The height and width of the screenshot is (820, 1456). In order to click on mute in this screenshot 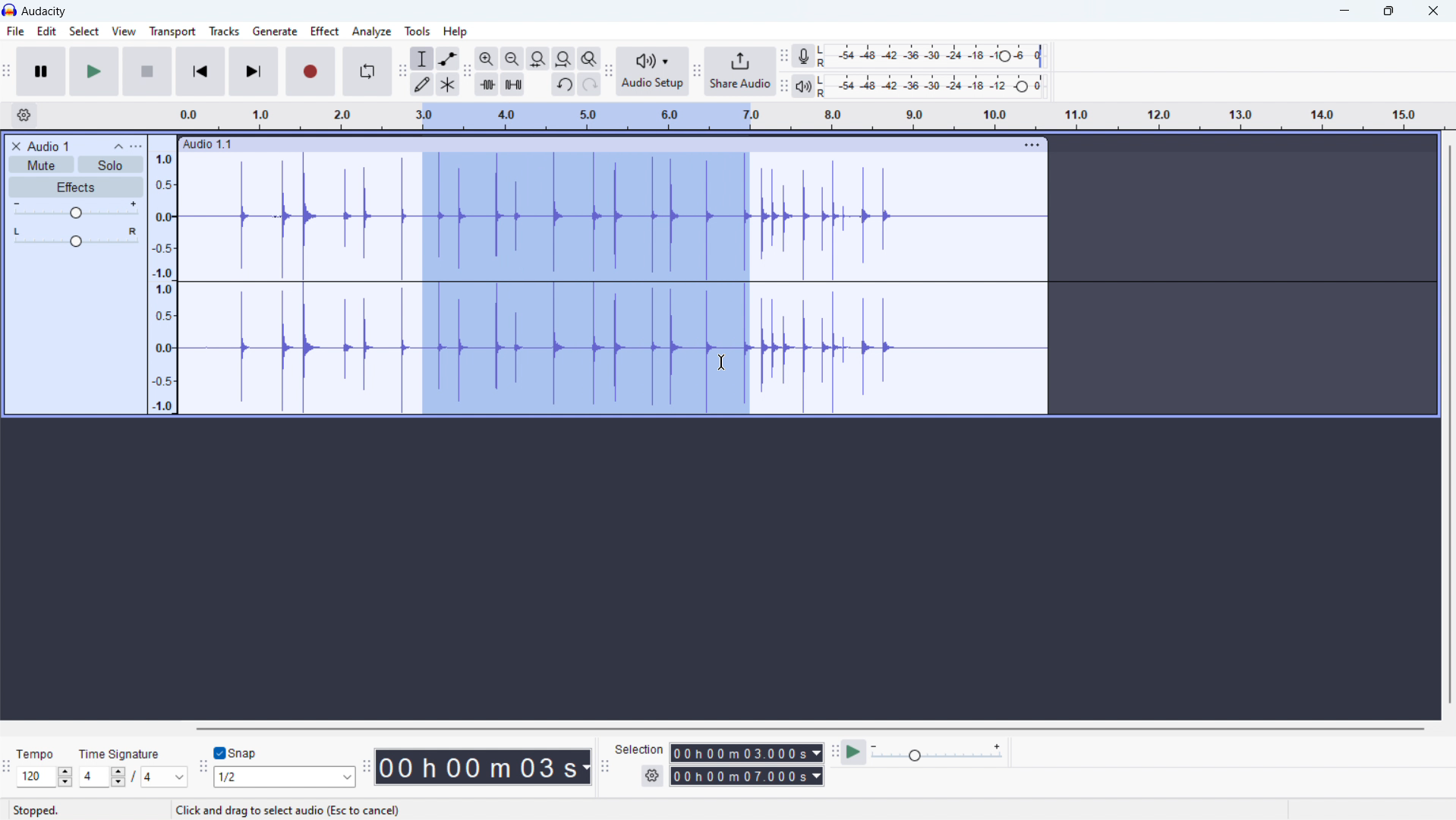, I will do `click(41, 165)`.